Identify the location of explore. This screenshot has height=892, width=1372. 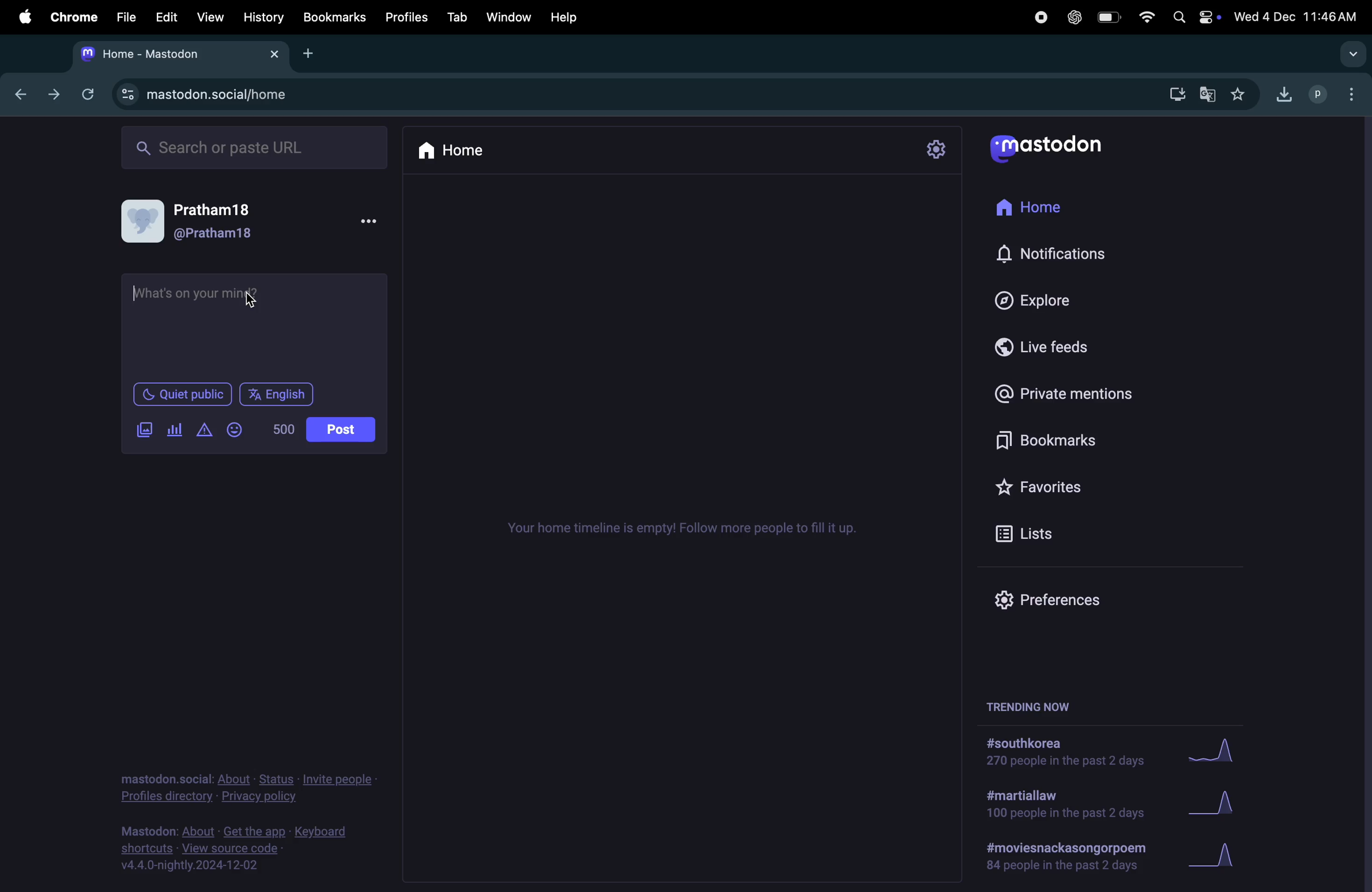
(1037, 302).